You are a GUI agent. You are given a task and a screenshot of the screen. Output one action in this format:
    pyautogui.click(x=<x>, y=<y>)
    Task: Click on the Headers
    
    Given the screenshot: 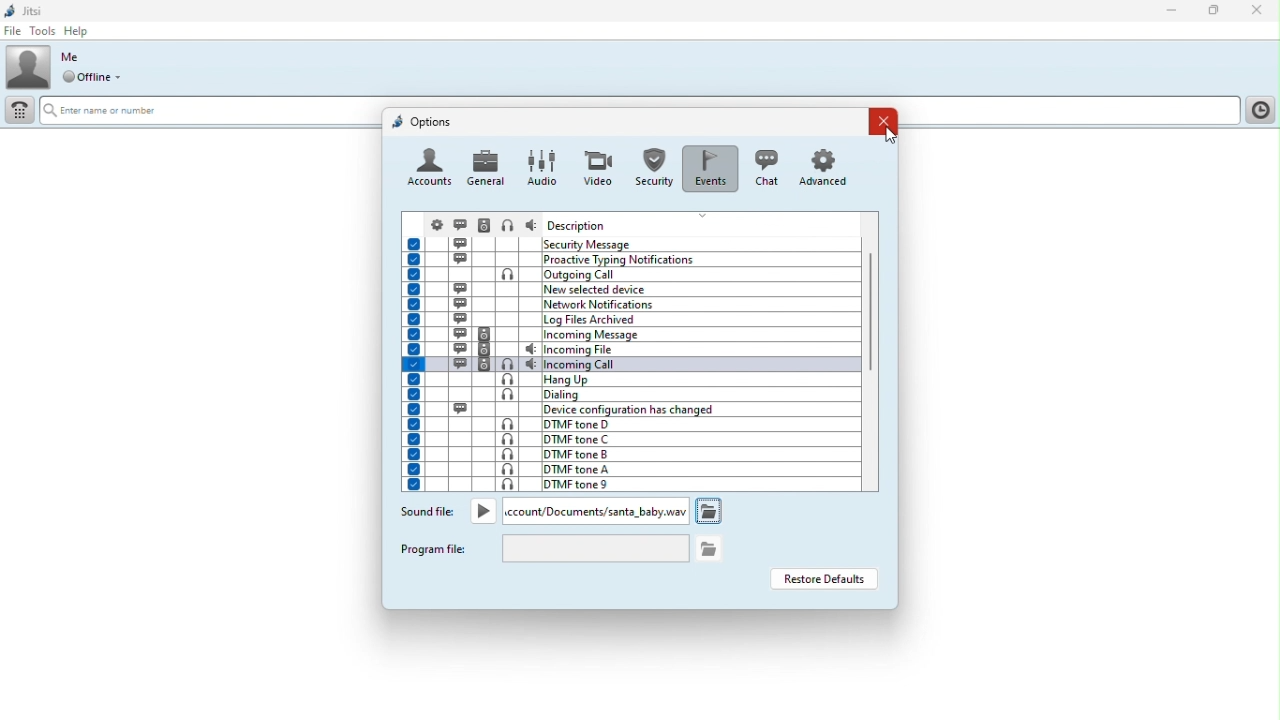 What is the action you would take?
    pyautogui.click(x=632, y=224)
    